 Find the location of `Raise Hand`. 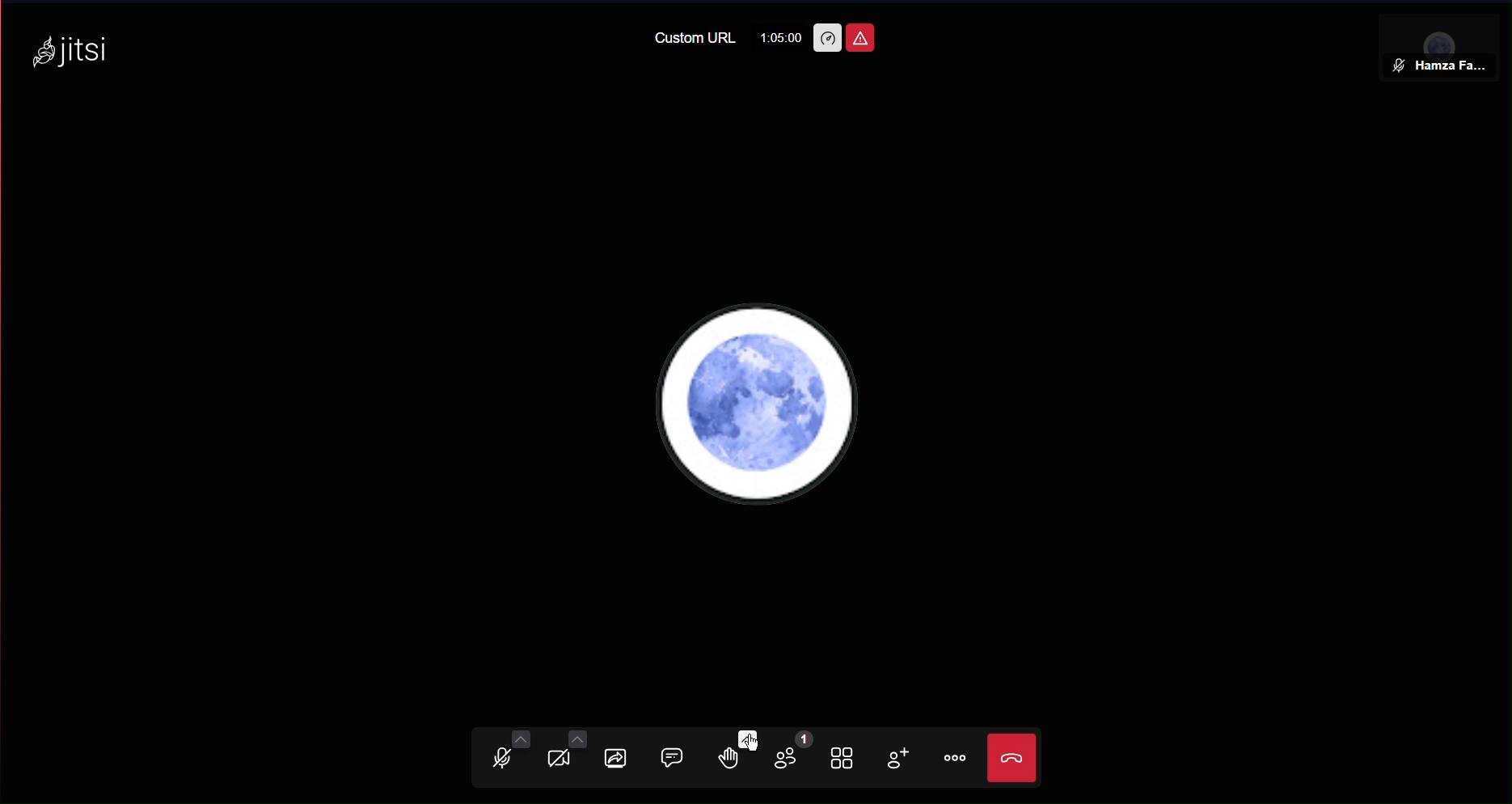

Raise Hand is located at coordinates (741, 760).